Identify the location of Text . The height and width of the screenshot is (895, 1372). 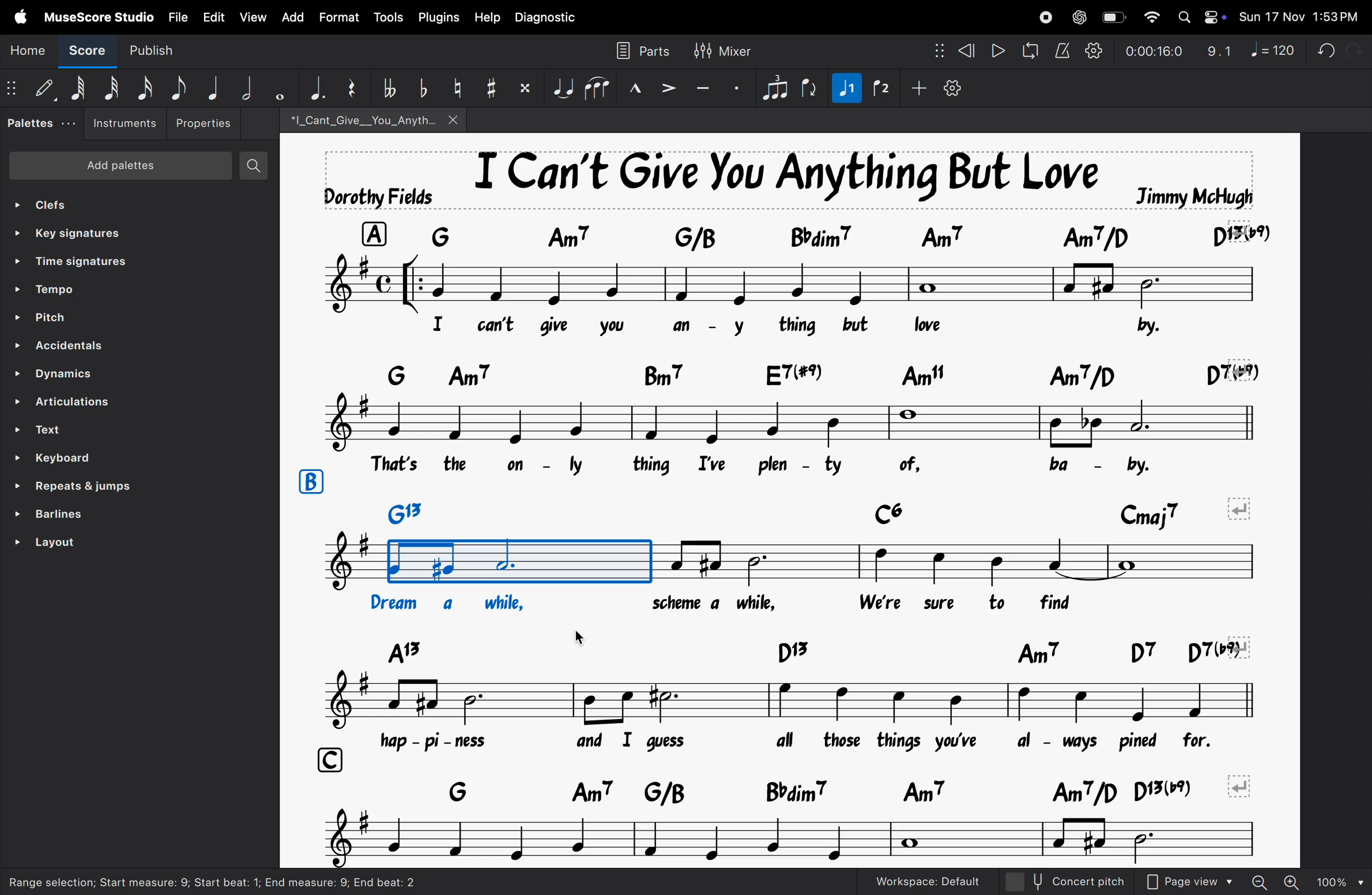
(52, 428).